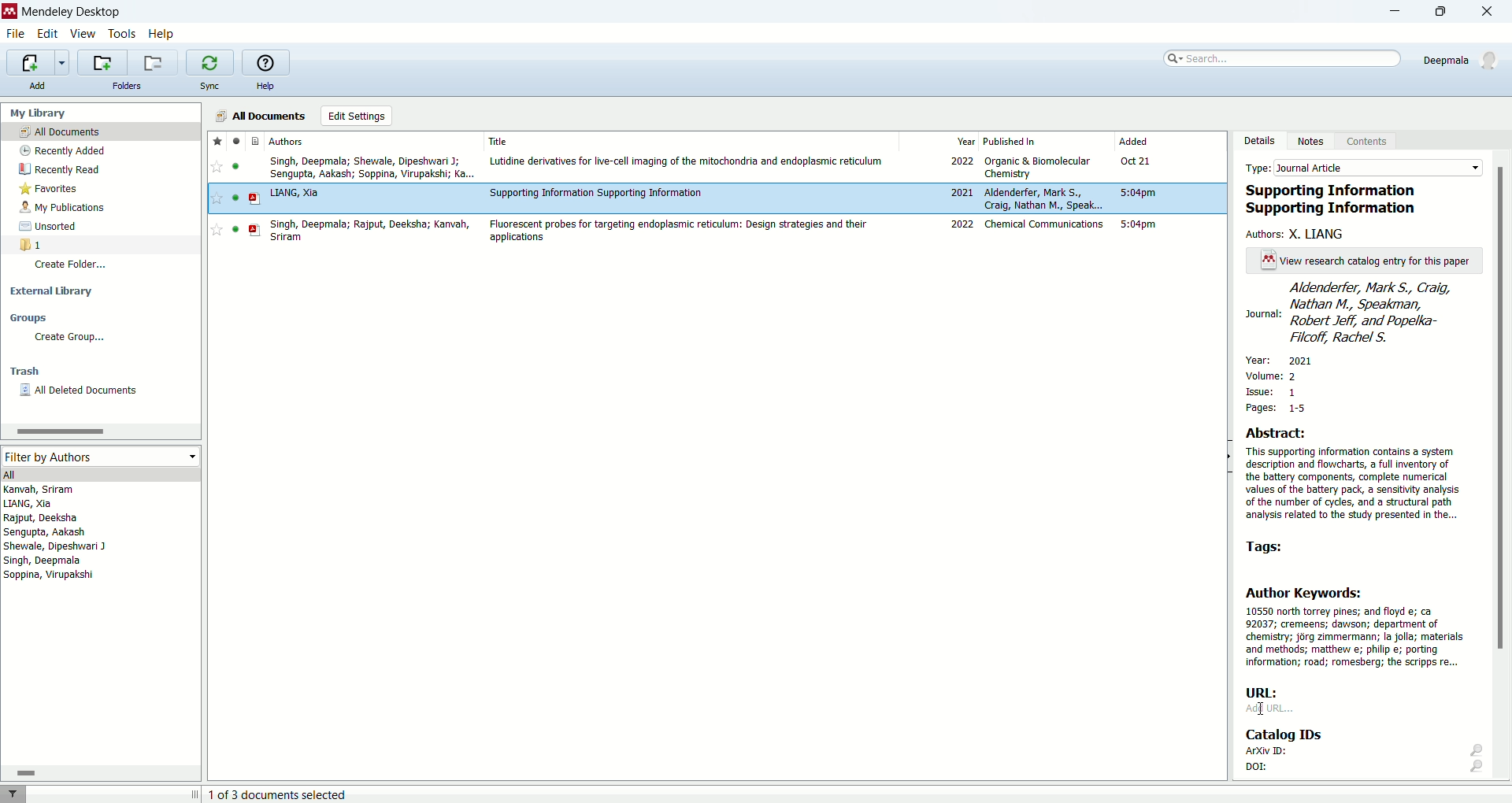  What do you see at coordinates (1360, 167) in the screenshot?
I see `type: journal article` at bounding box center [1360, 167].